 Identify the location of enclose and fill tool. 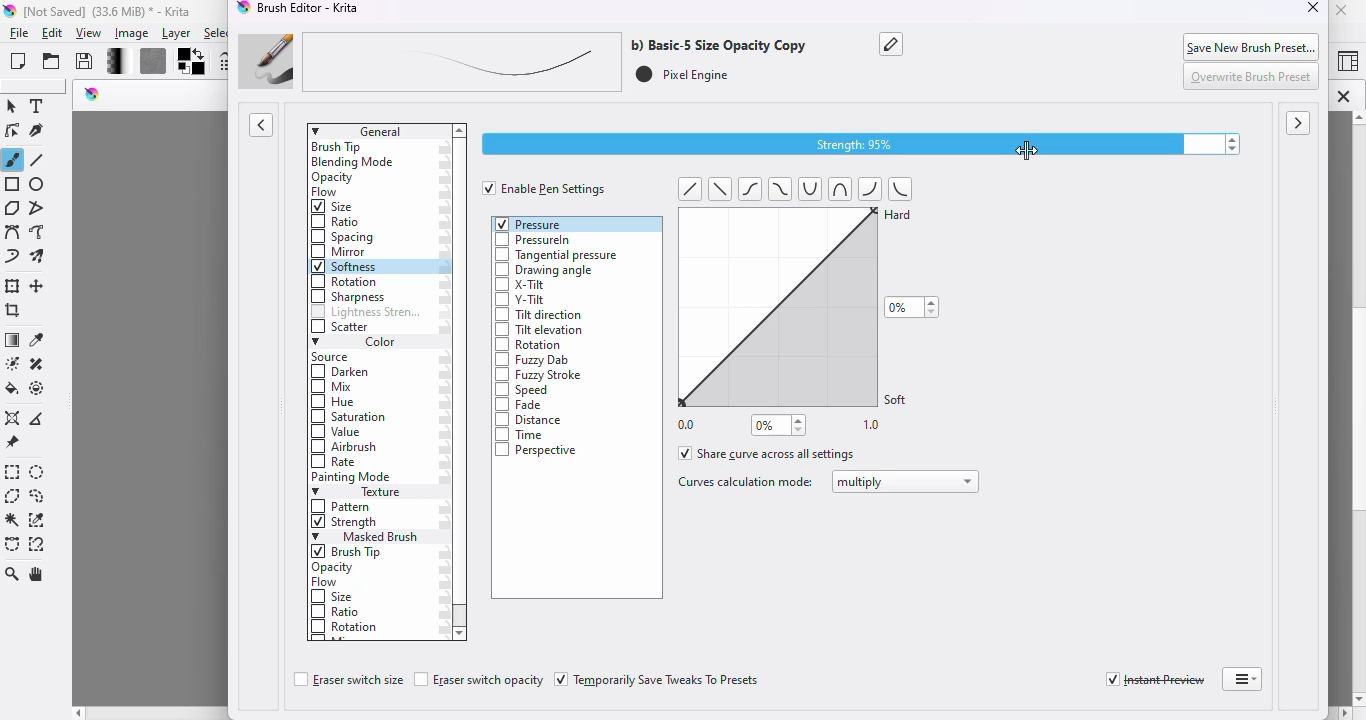
(38, 388).